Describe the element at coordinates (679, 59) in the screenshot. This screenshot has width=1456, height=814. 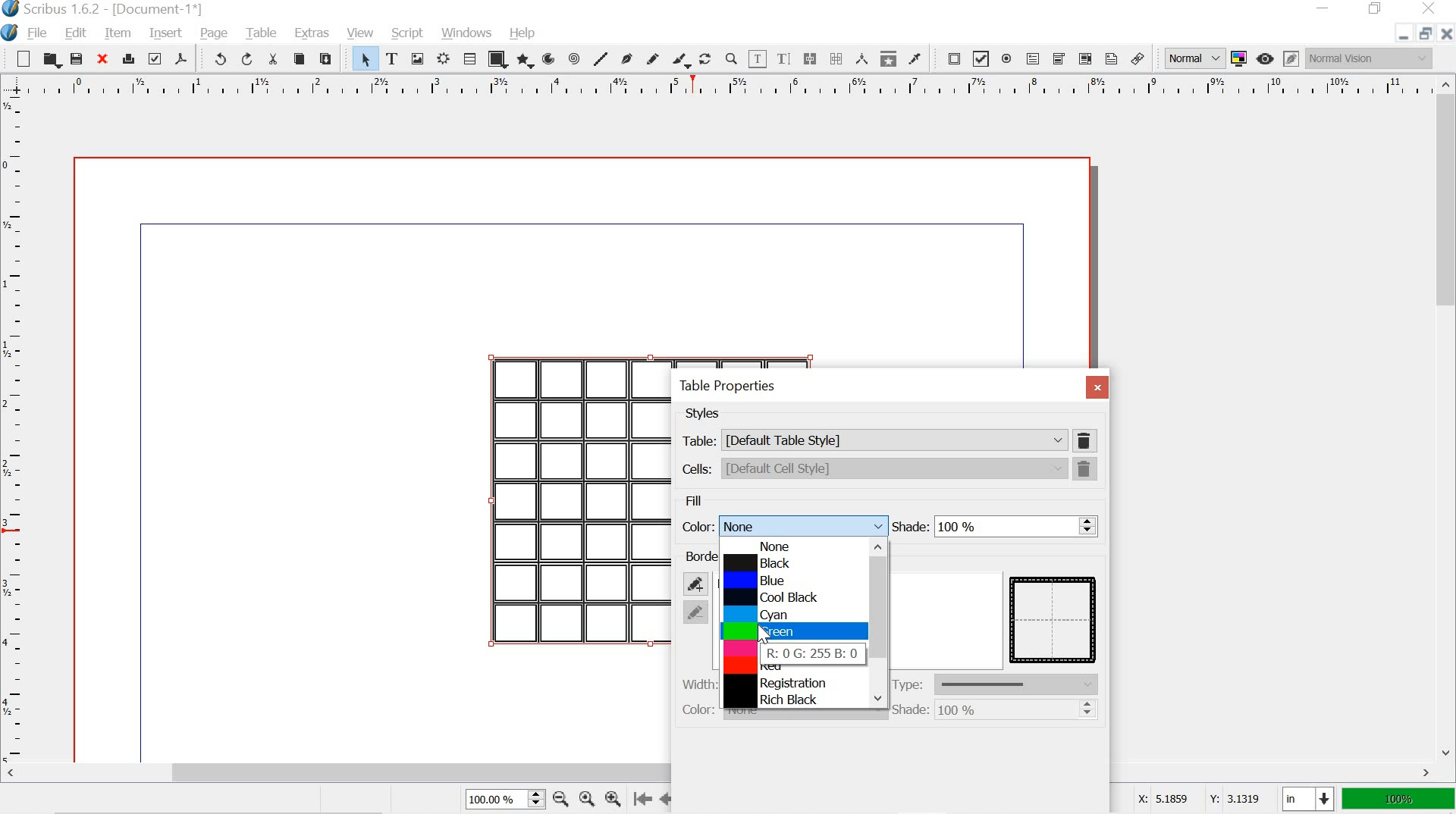
I see `calligraphic line` at that location.